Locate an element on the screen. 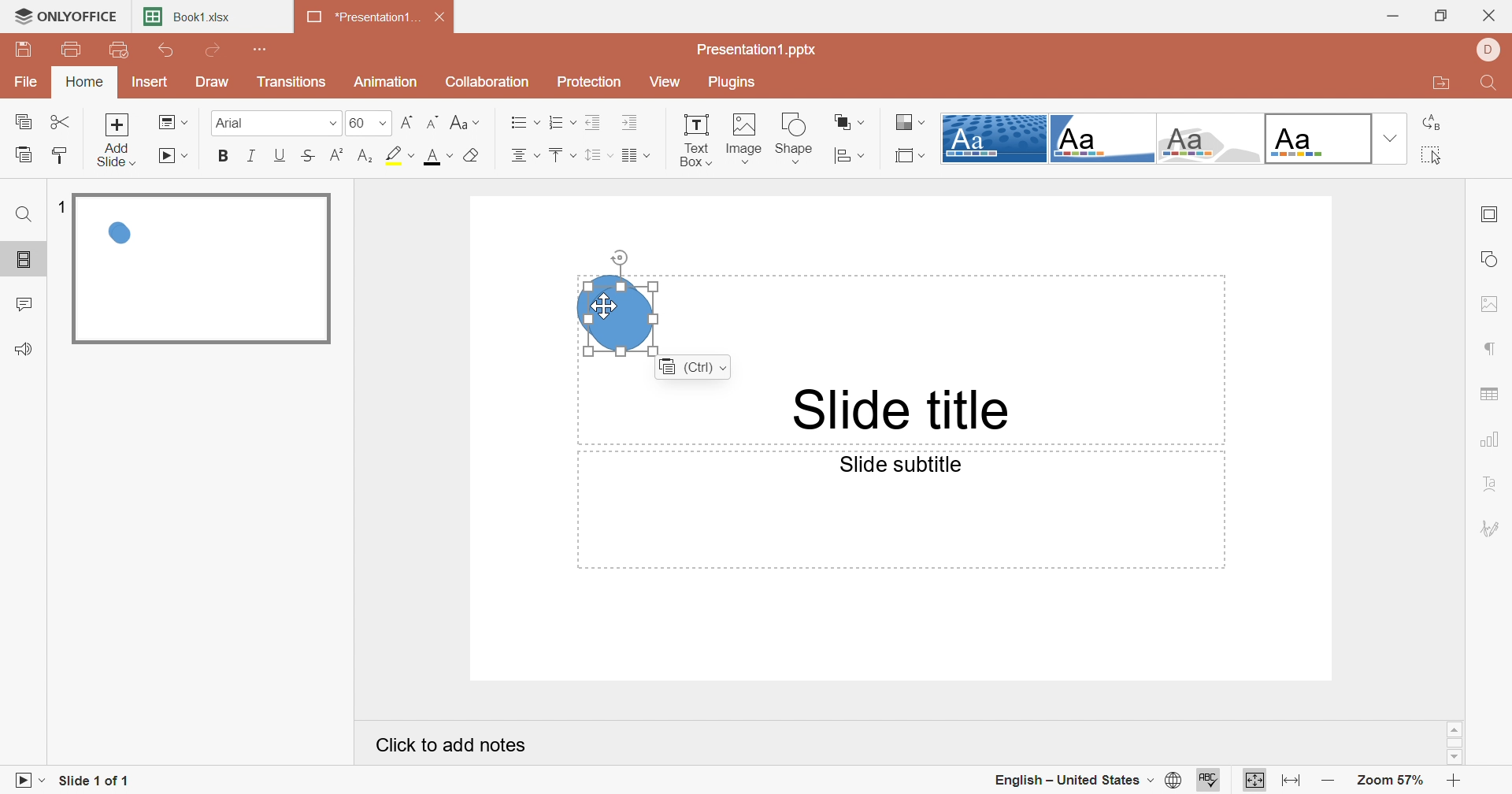 The height and width of the screenshot is (794, 1512). Slide subtitle is located at coordinates (903, 464).